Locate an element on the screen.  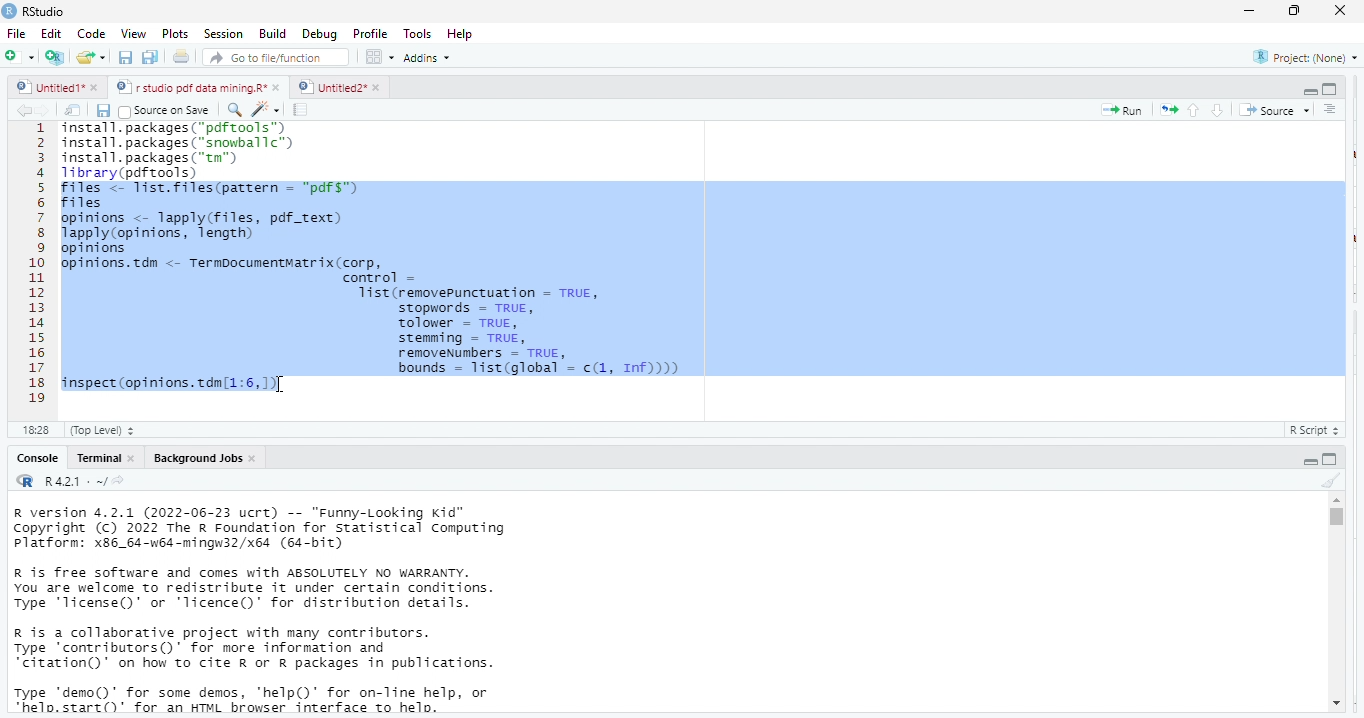
save all open documents is located at coordinates (151, 58).